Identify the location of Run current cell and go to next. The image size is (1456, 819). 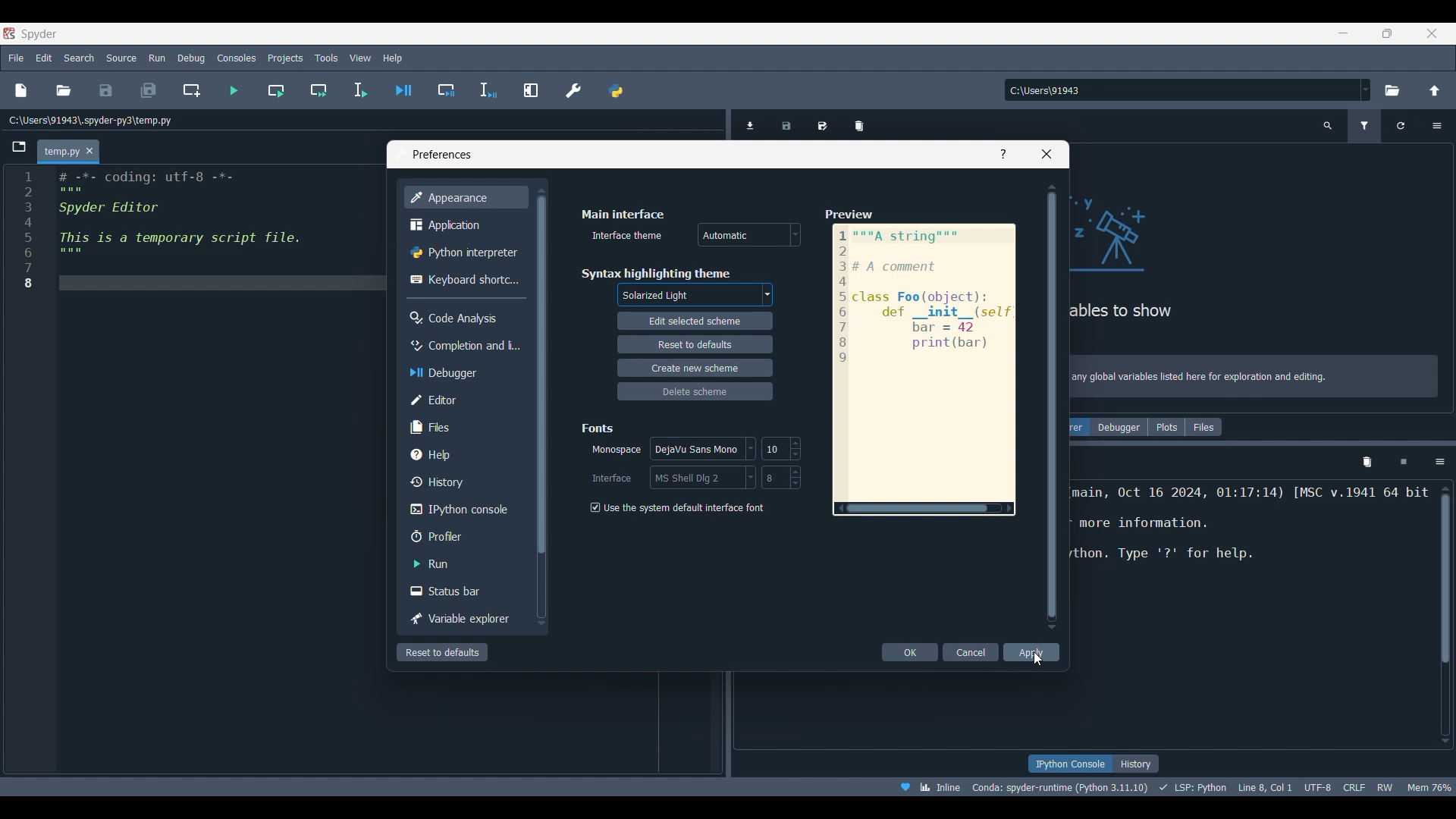
(319, 90).